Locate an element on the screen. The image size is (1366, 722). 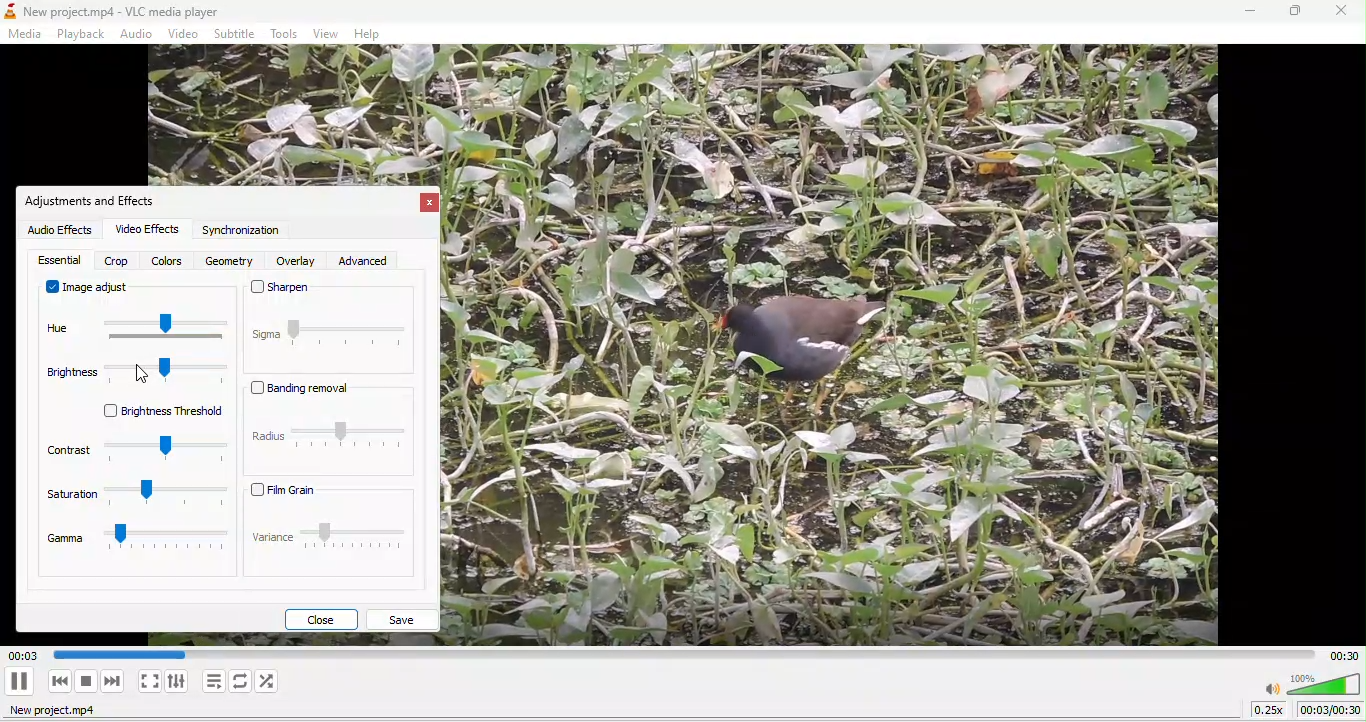
random is located at coordinates (274, 683).